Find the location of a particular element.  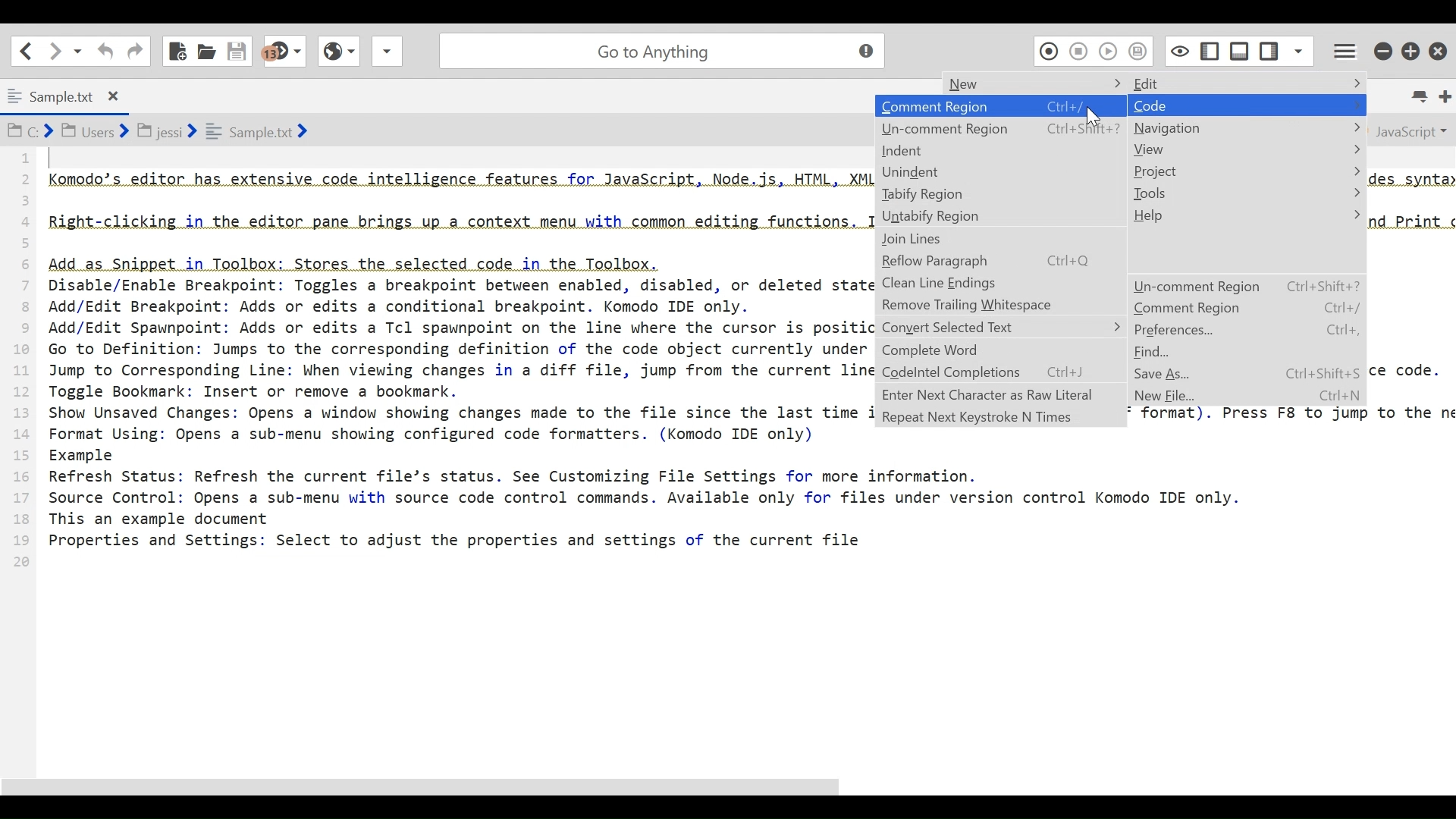

Play Last Macro is located at coordinates (1108, 50).